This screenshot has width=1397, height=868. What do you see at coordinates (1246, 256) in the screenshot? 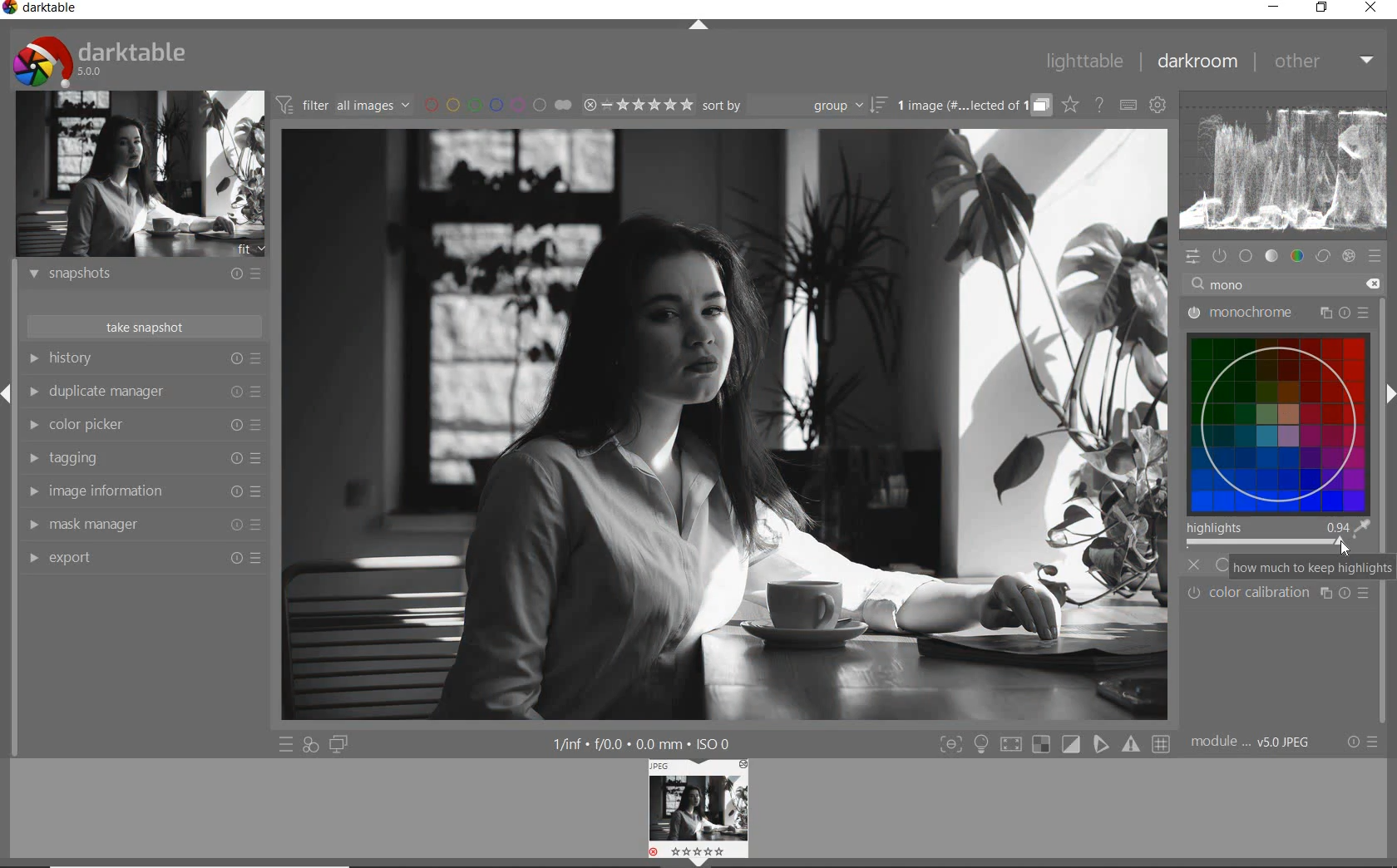
I see `base` at bounding box center [1246, 256].